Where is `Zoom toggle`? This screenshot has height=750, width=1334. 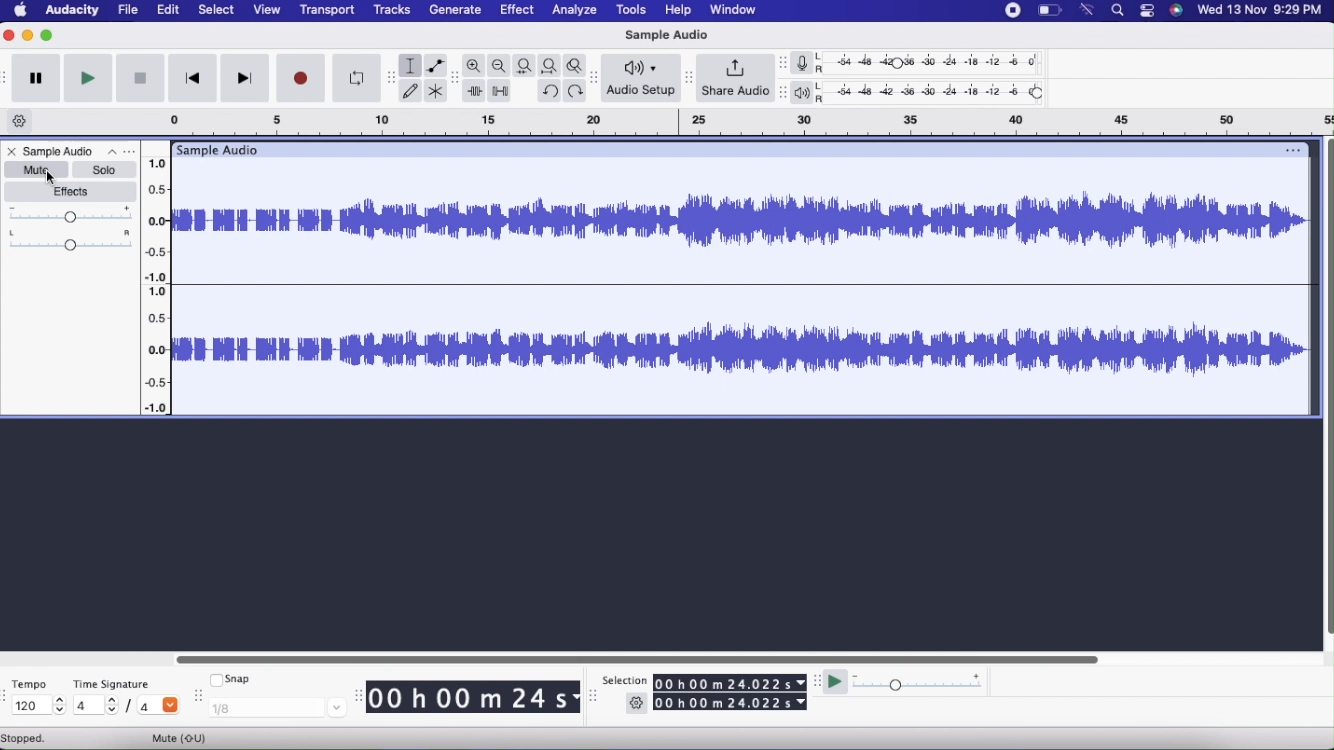
Zoom toggle is located at coordinates (576, 64).